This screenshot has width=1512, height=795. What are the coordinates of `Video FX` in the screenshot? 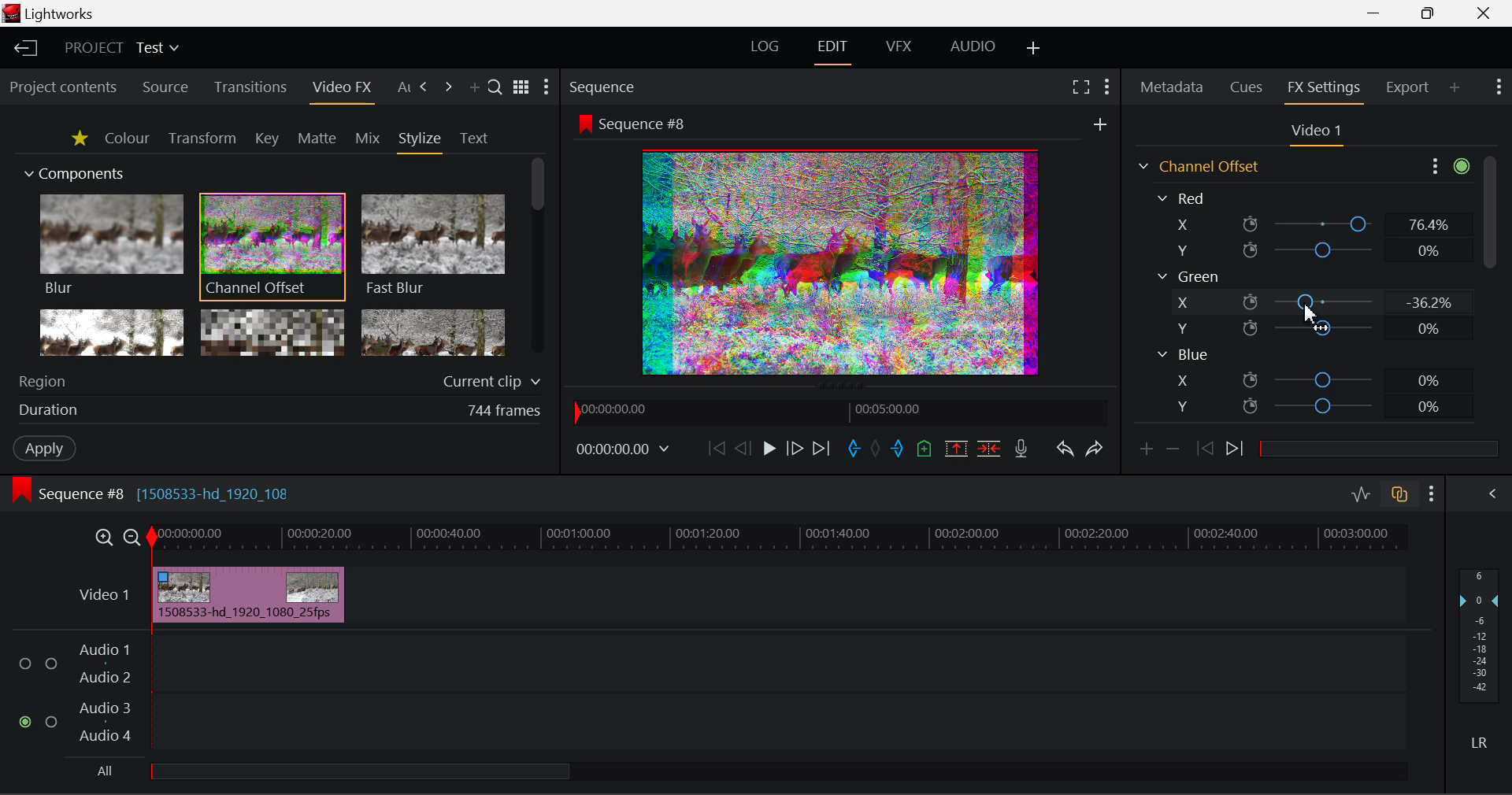 It's located at (341, 91).